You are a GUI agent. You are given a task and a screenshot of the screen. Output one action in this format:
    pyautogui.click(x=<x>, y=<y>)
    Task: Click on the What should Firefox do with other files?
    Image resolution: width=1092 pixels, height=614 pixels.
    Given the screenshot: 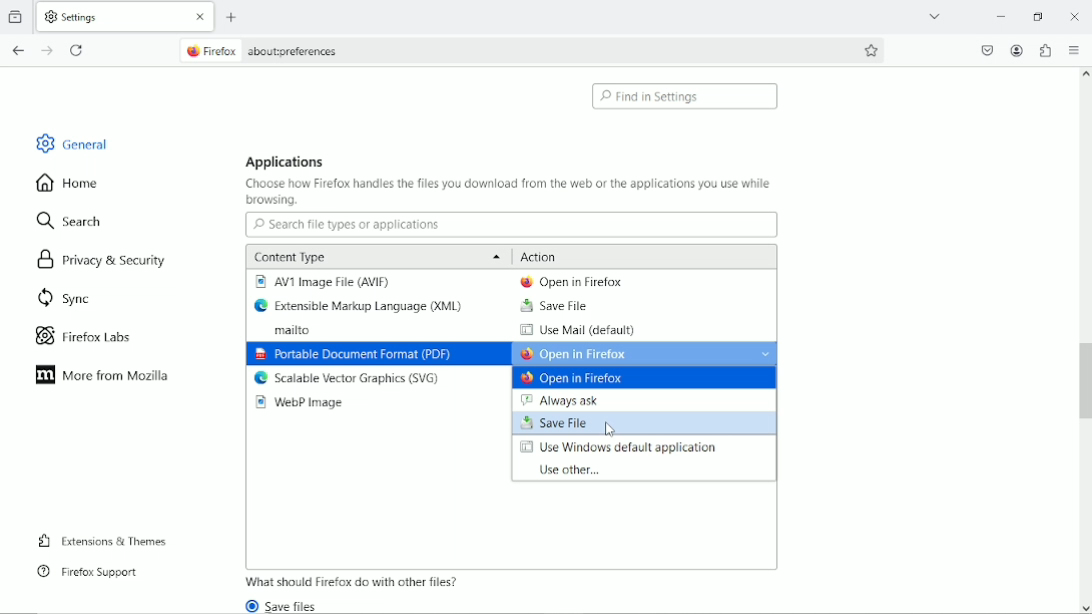 What is the action you would take?
    pyautogui.click(x=353, y=581)
    